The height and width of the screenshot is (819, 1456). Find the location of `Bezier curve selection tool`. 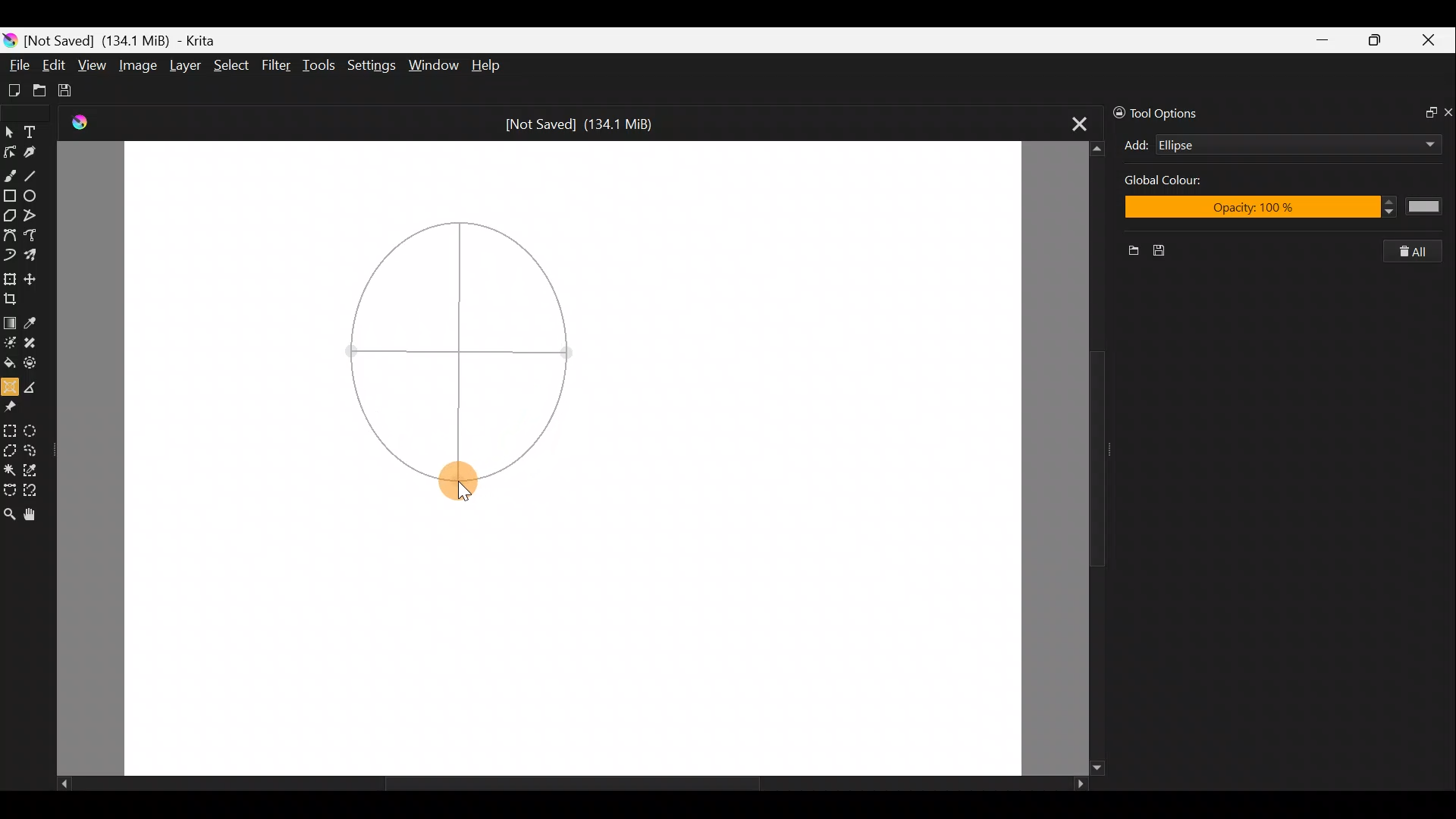

Bezier curve selection tool is located at coordinates (9, 491).